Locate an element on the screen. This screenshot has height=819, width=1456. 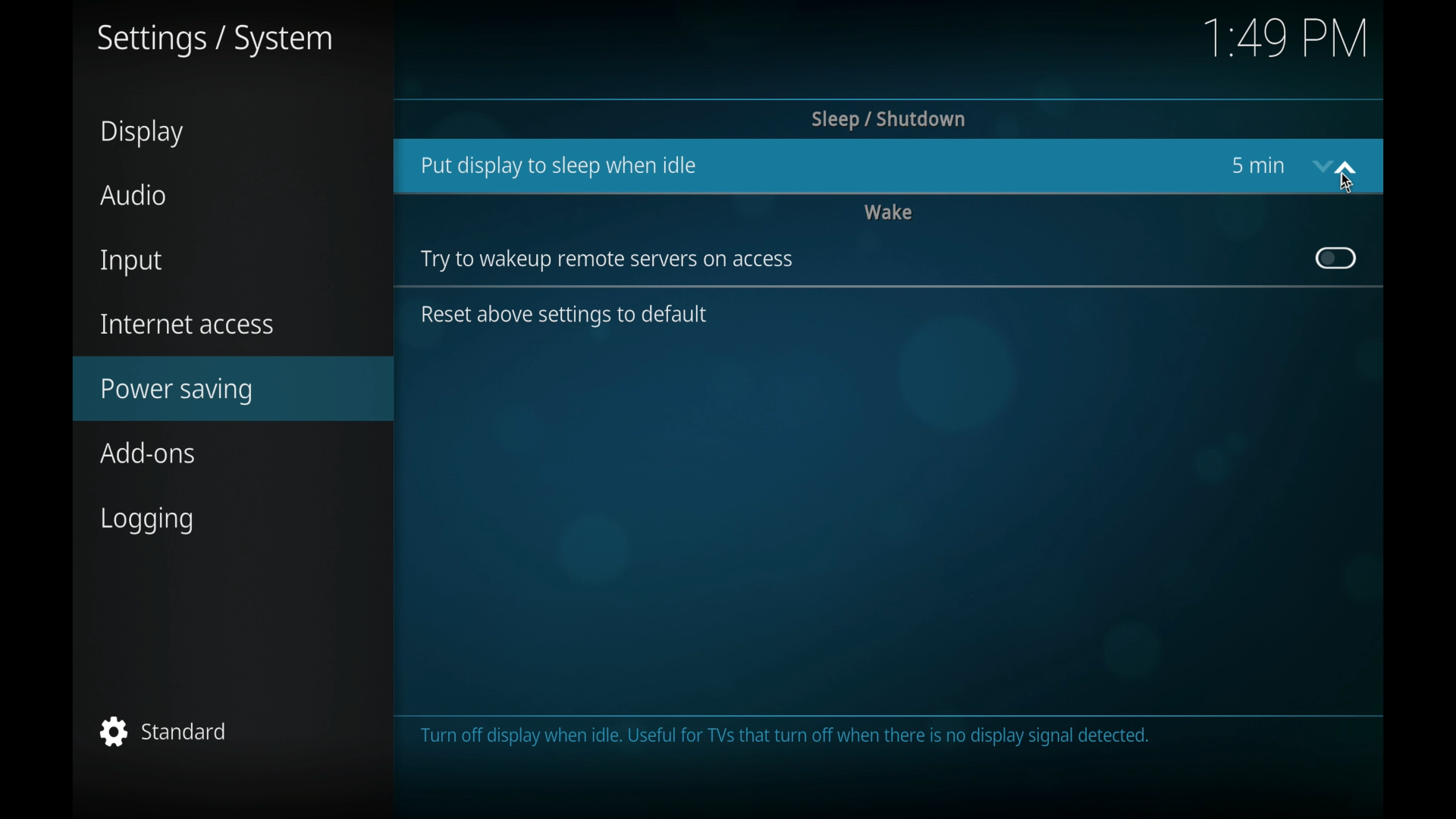
add-ons is located at coordinates (150, 453).